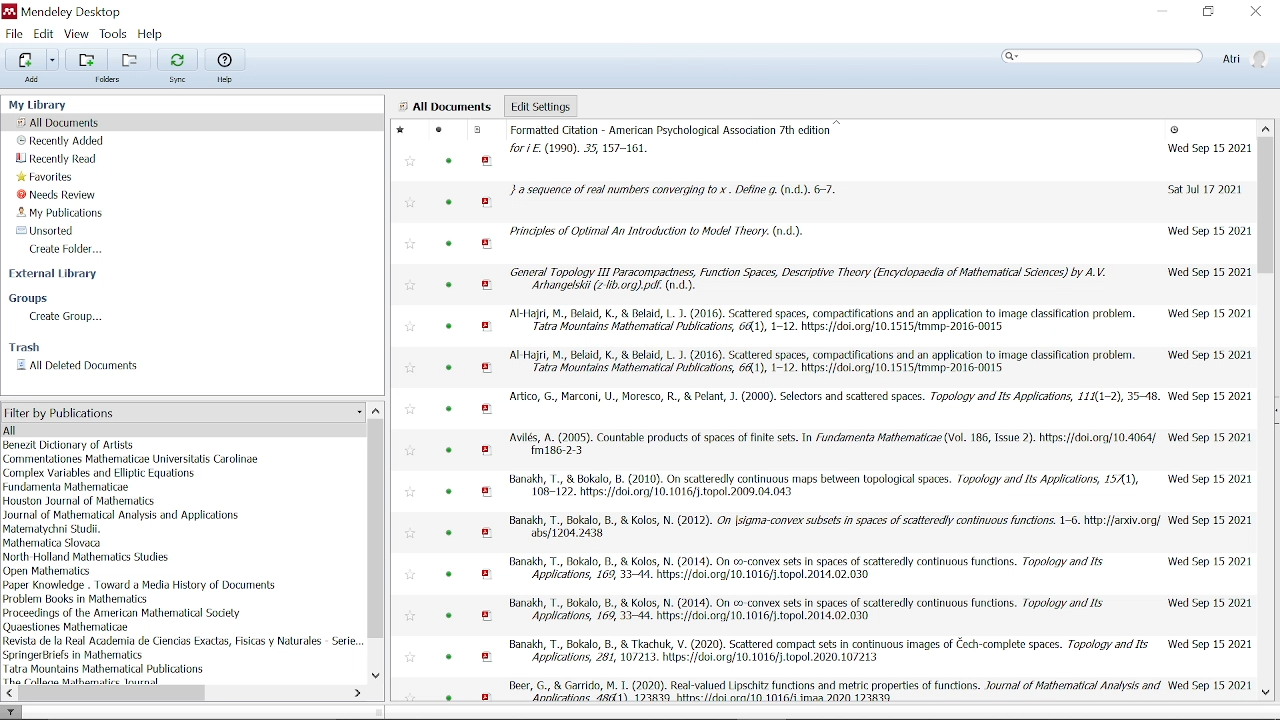  I want to click on status, so click(450, 286).